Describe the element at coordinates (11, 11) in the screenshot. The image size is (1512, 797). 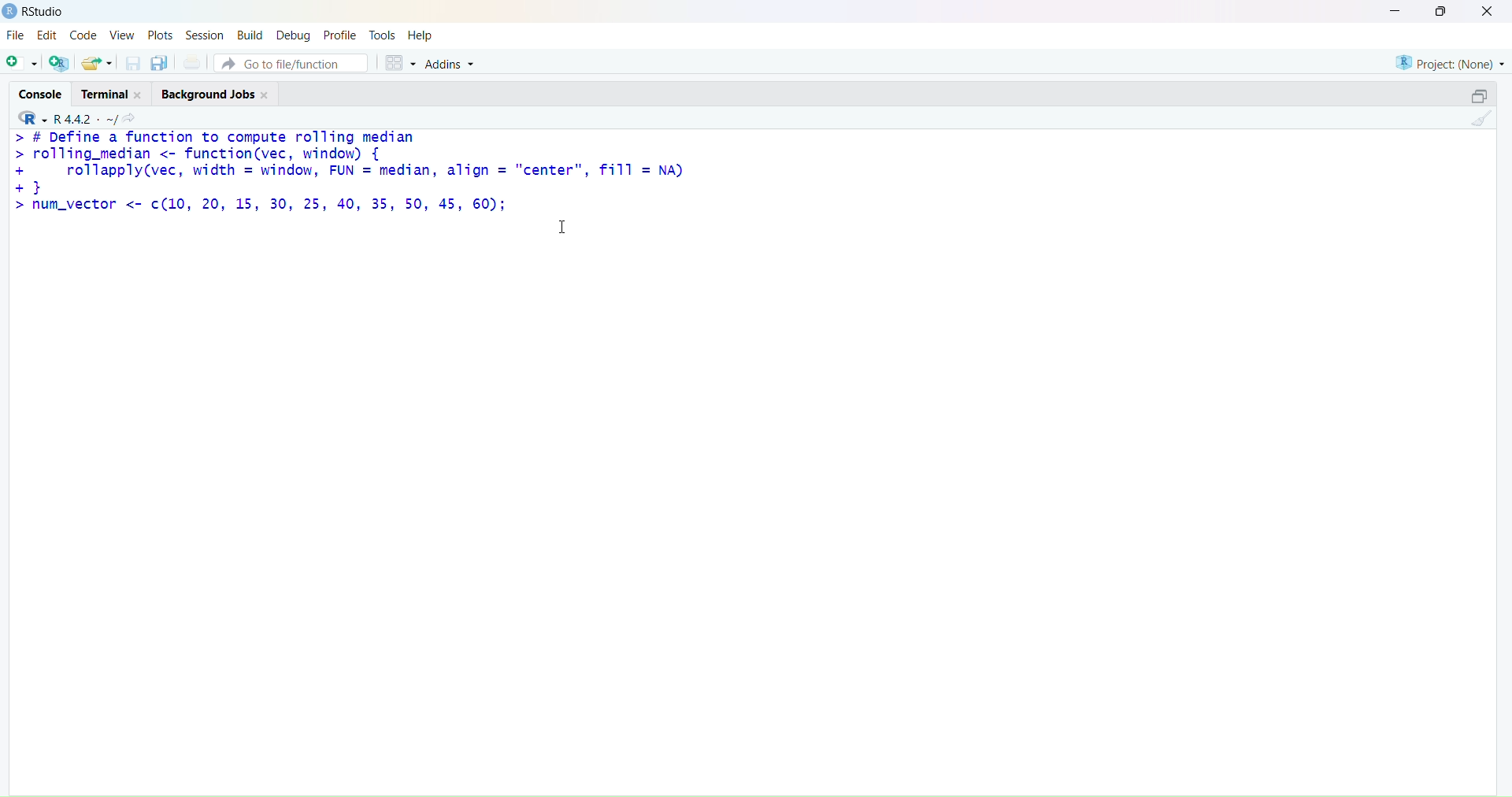
I see `logo` at that location.